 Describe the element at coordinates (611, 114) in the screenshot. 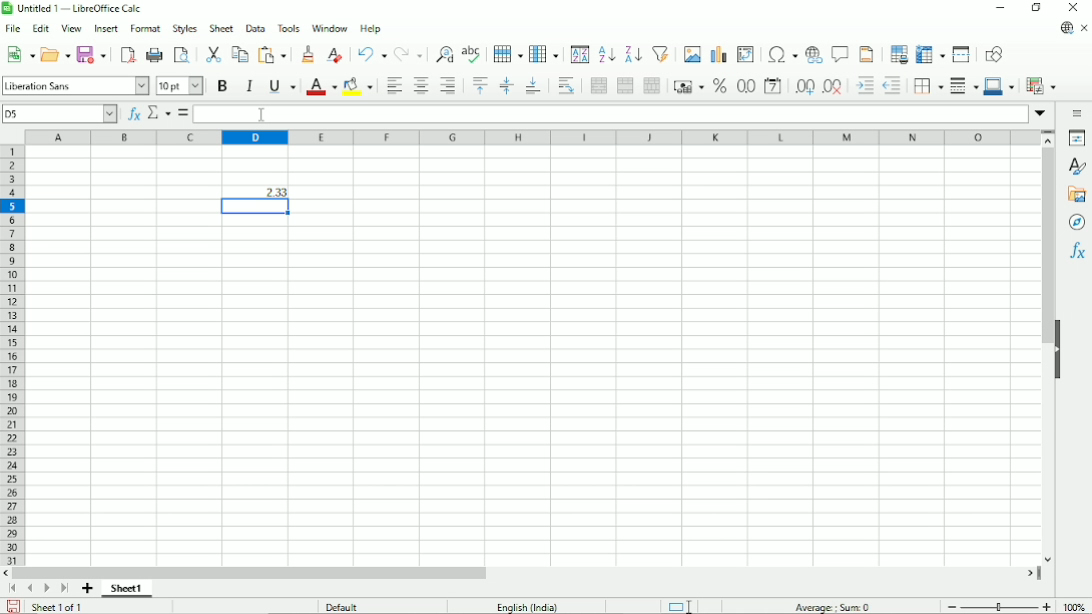

I see `Input line` at that location.